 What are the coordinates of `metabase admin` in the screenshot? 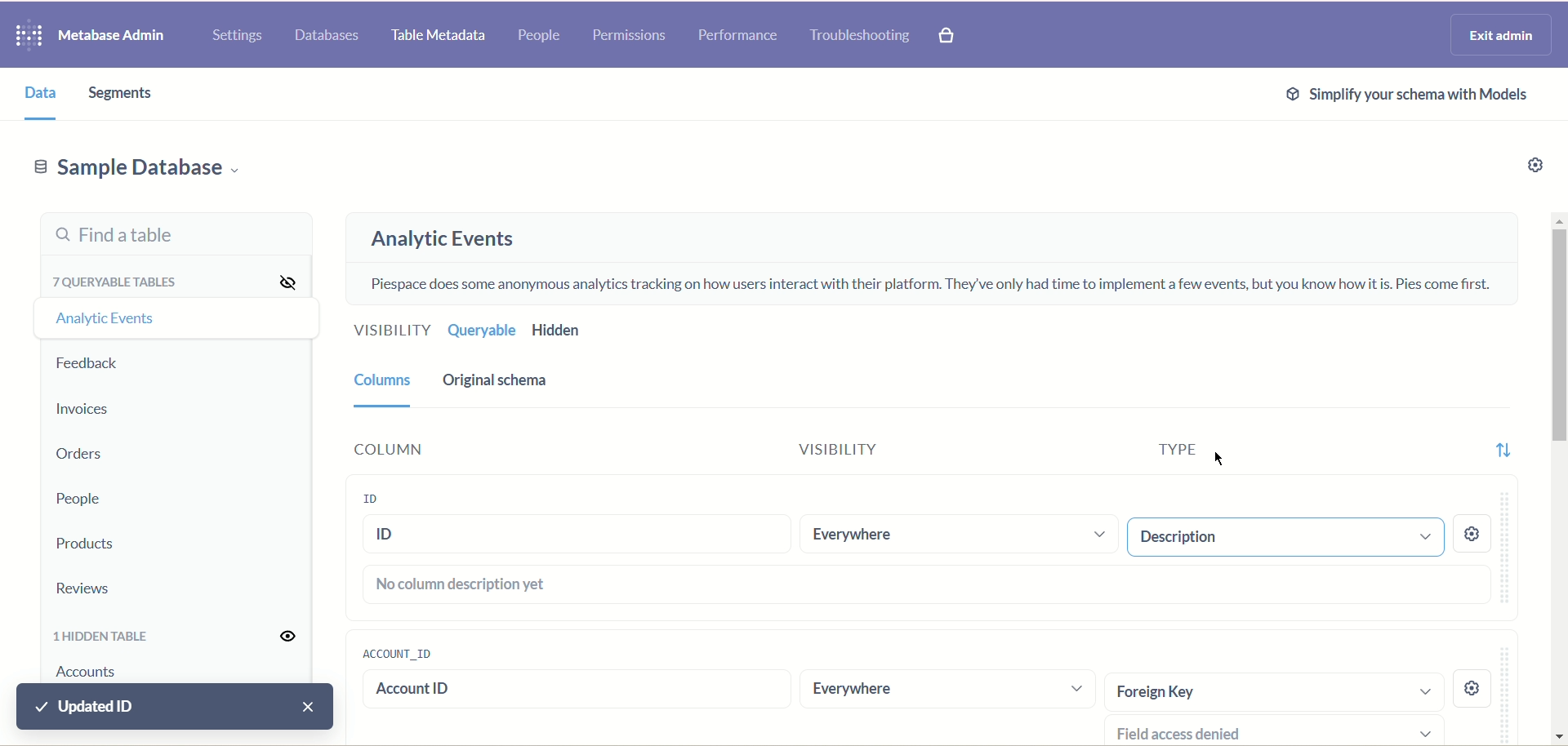 It's located at (110, 37).